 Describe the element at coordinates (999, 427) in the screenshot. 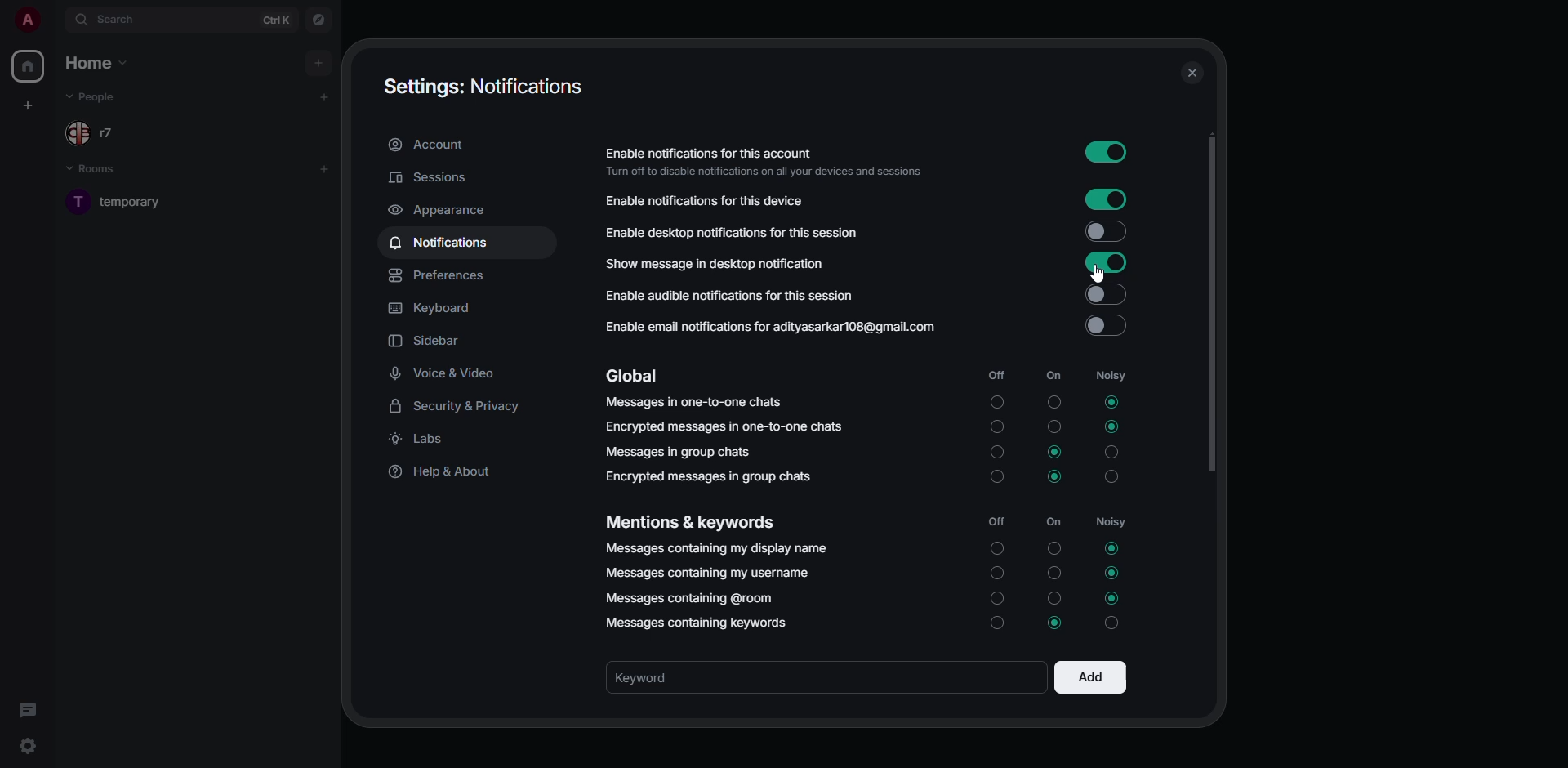

I see `Off Unselected` at that location.